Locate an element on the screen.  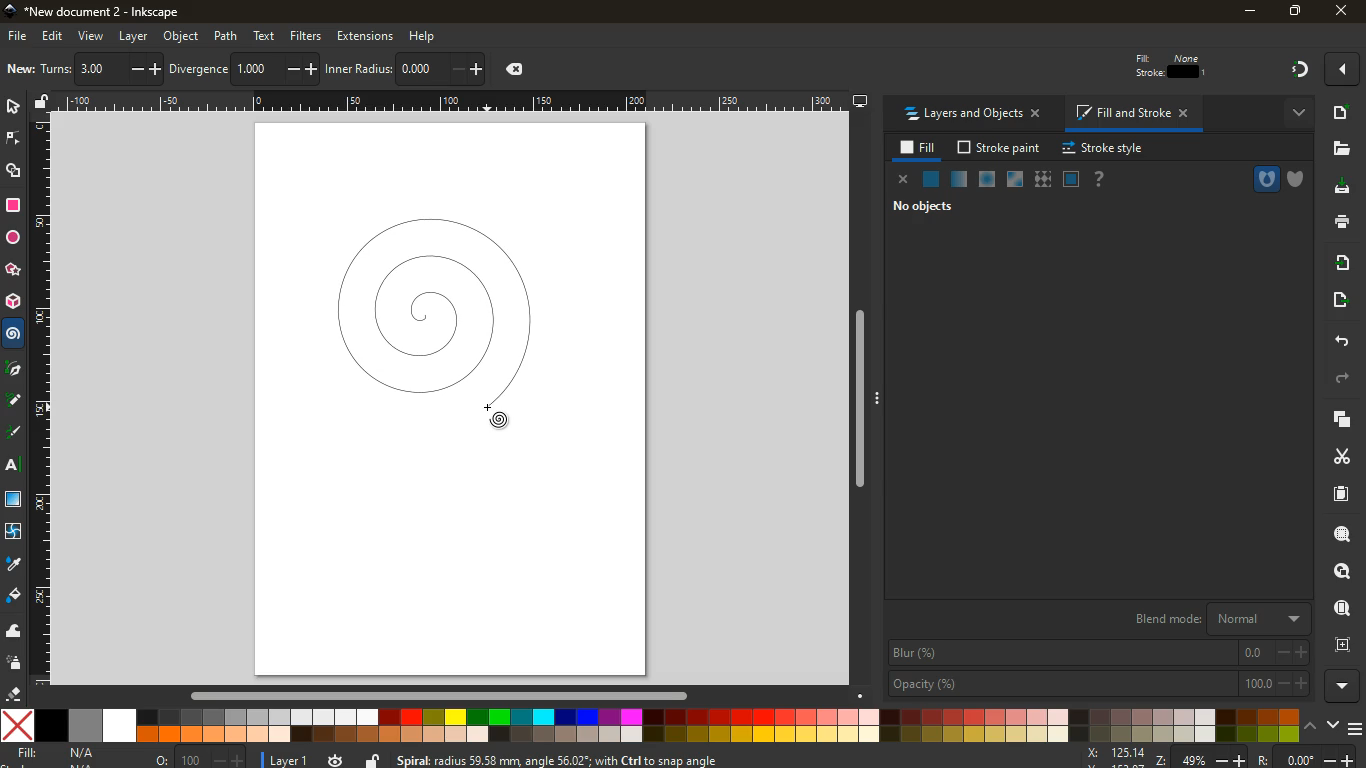
look is located at coordinates (1337, 573).